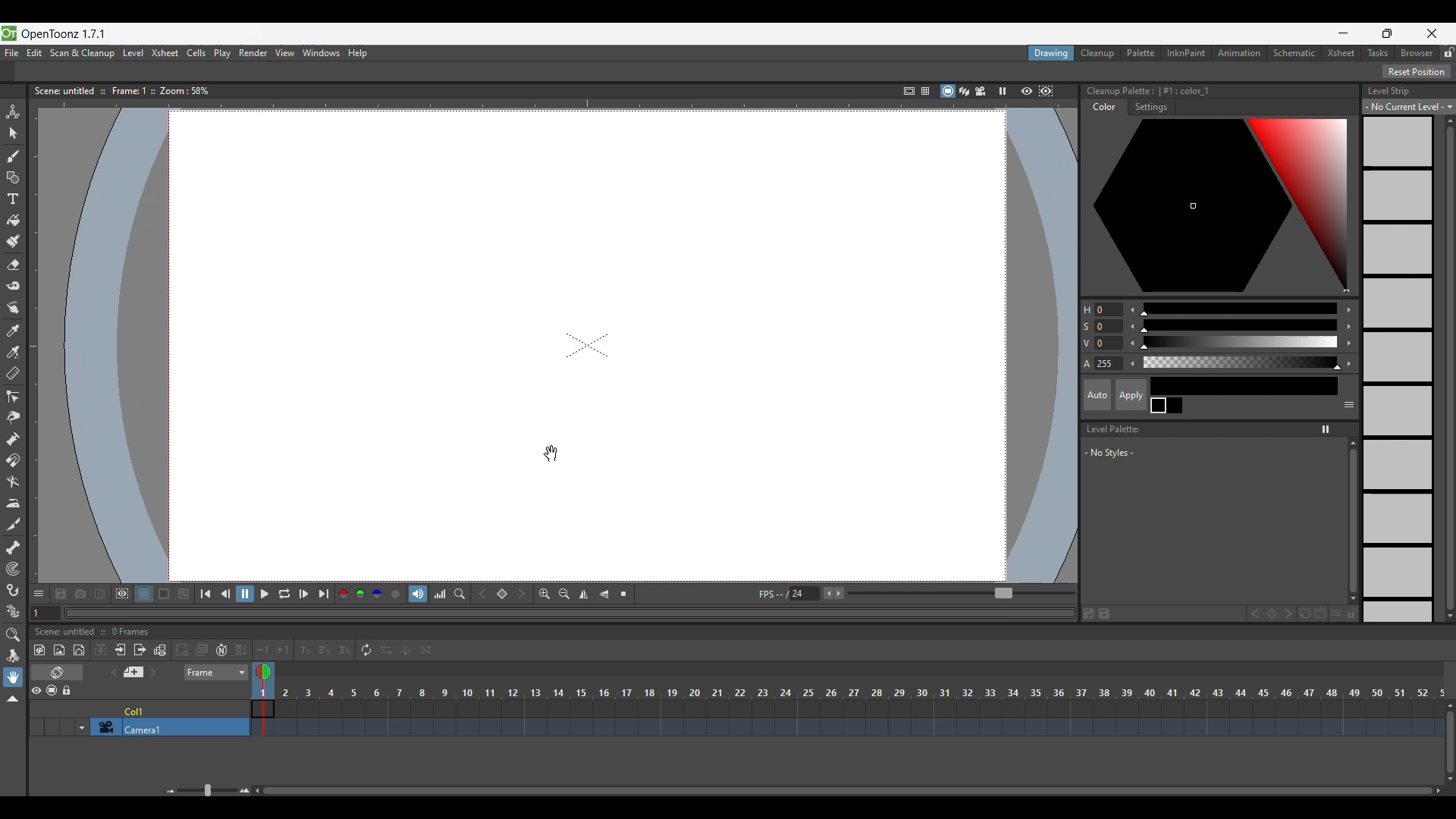 Image resolution: width=1456 pixels, height=819 pixels. Describe the element at coordinates (12, 133) in the screenshot. I see `Selection tool` at that location.